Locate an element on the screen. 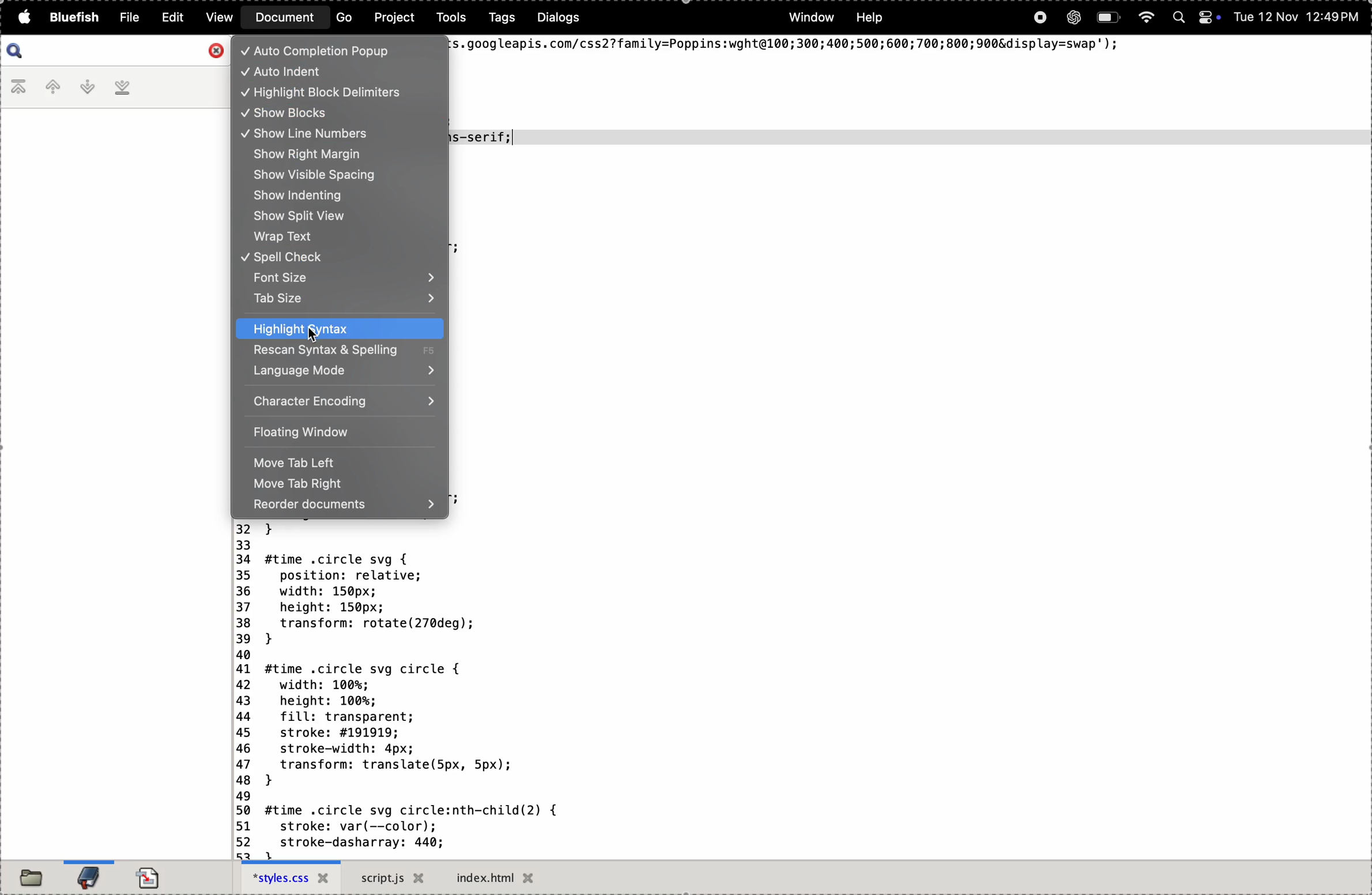 The height and width of the screenshot is (895, 1372). recorder documents is located at coordinates (346, 507).